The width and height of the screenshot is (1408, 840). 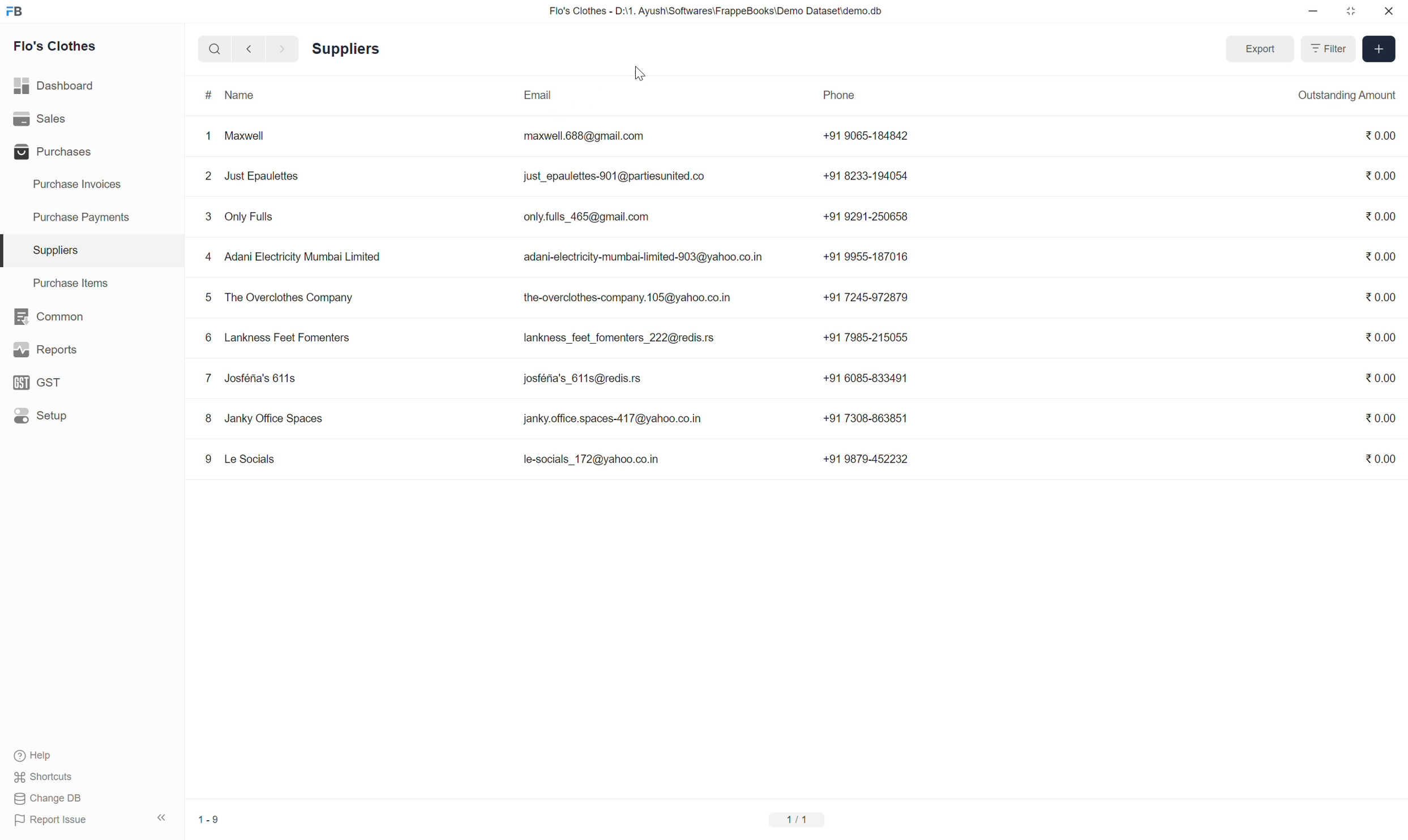 What do you see at coordinates (622, 340) in the screenshot?
I see `lankness_feet_fomenters_222@redis.rs` at bounding box center [622, 340].